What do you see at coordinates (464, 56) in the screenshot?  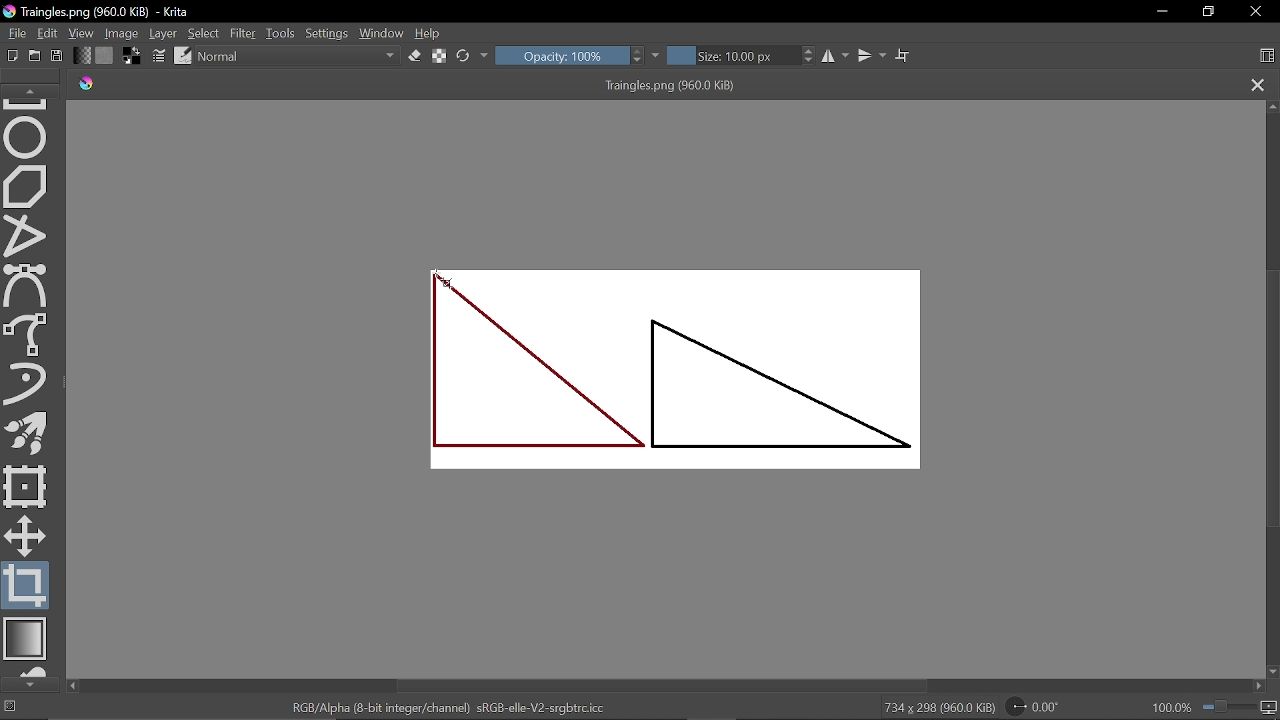 I see `Reload original preset` at bounding box center [464, 56].